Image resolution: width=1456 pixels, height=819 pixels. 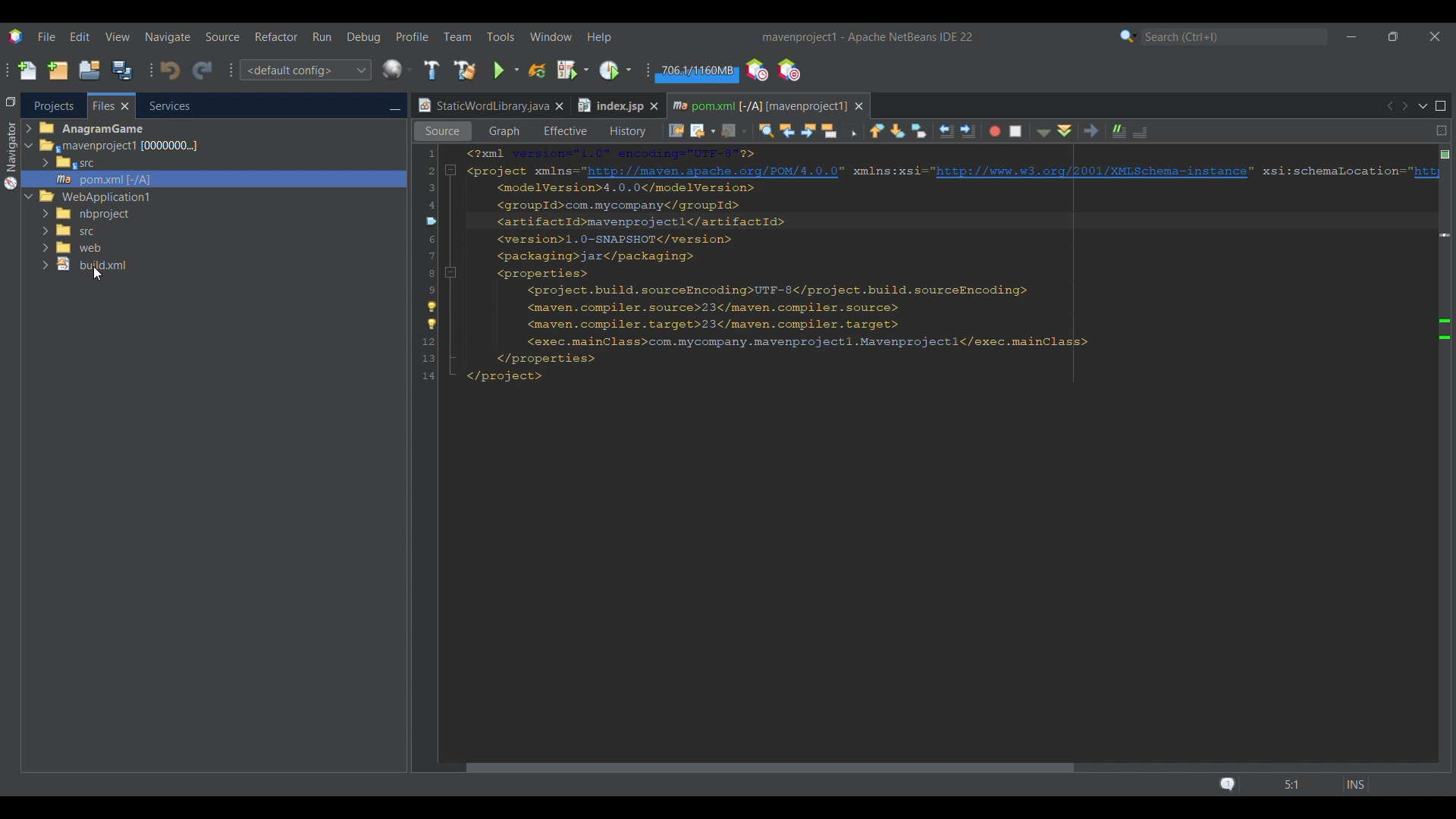 What do you see at coordinates (617, 105) in the screenshot?
I see `Other tab` at bounding box center [617, 105].